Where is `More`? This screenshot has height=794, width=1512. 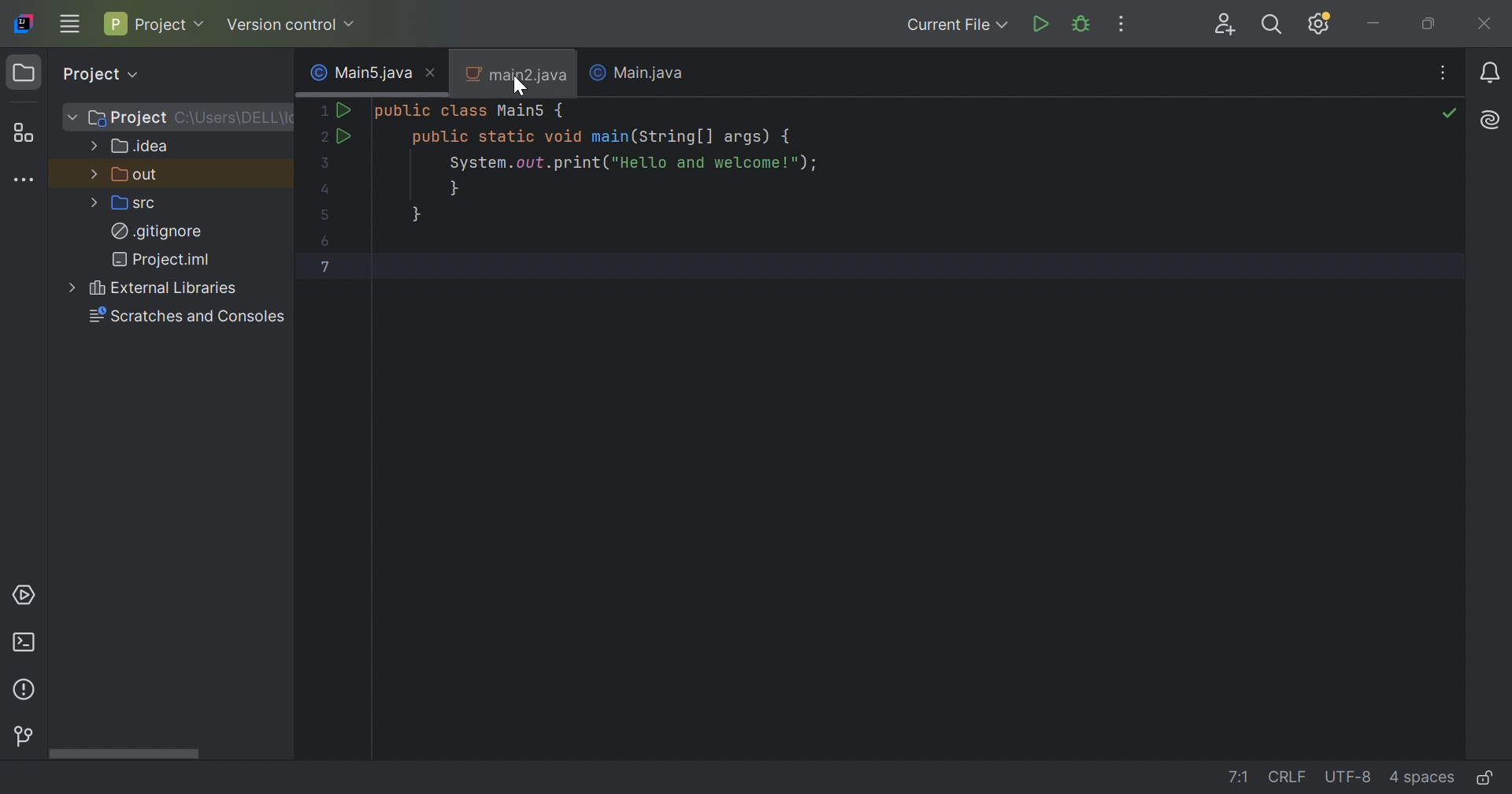 More is located at coordinates (95, 204).